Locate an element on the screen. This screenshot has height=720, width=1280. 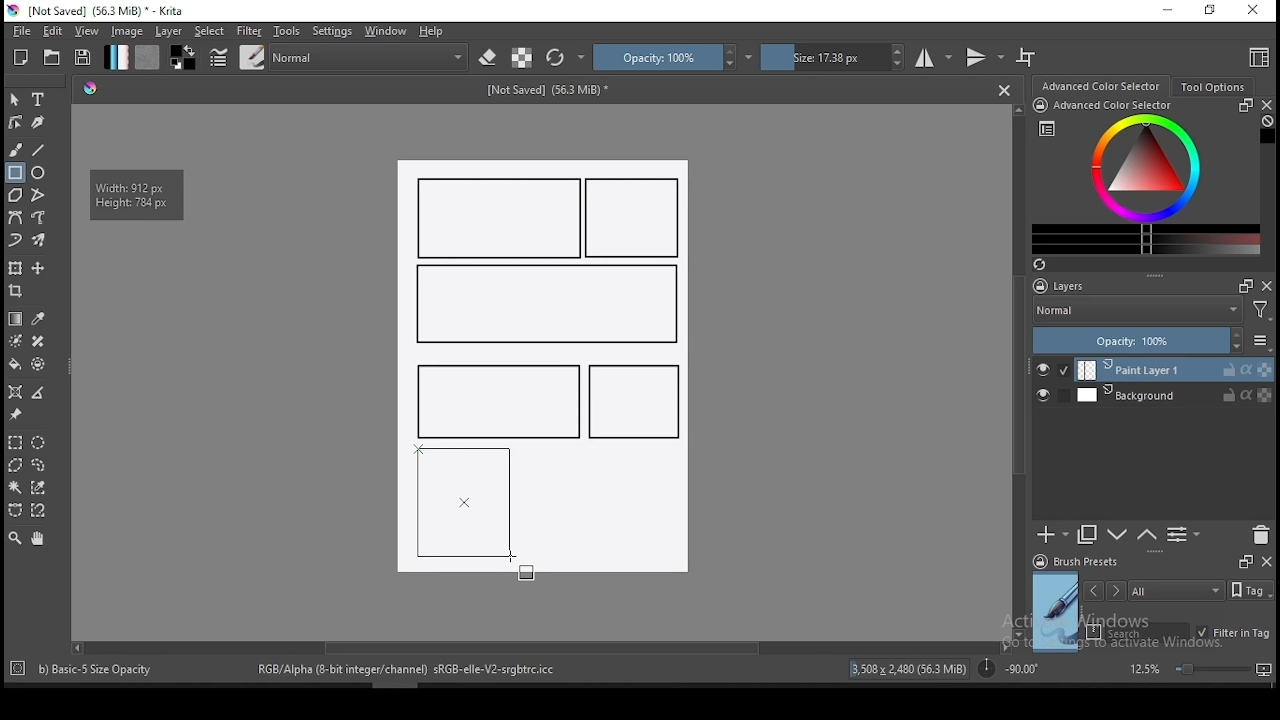
select shapes tool is located at coordinates (15, 99).